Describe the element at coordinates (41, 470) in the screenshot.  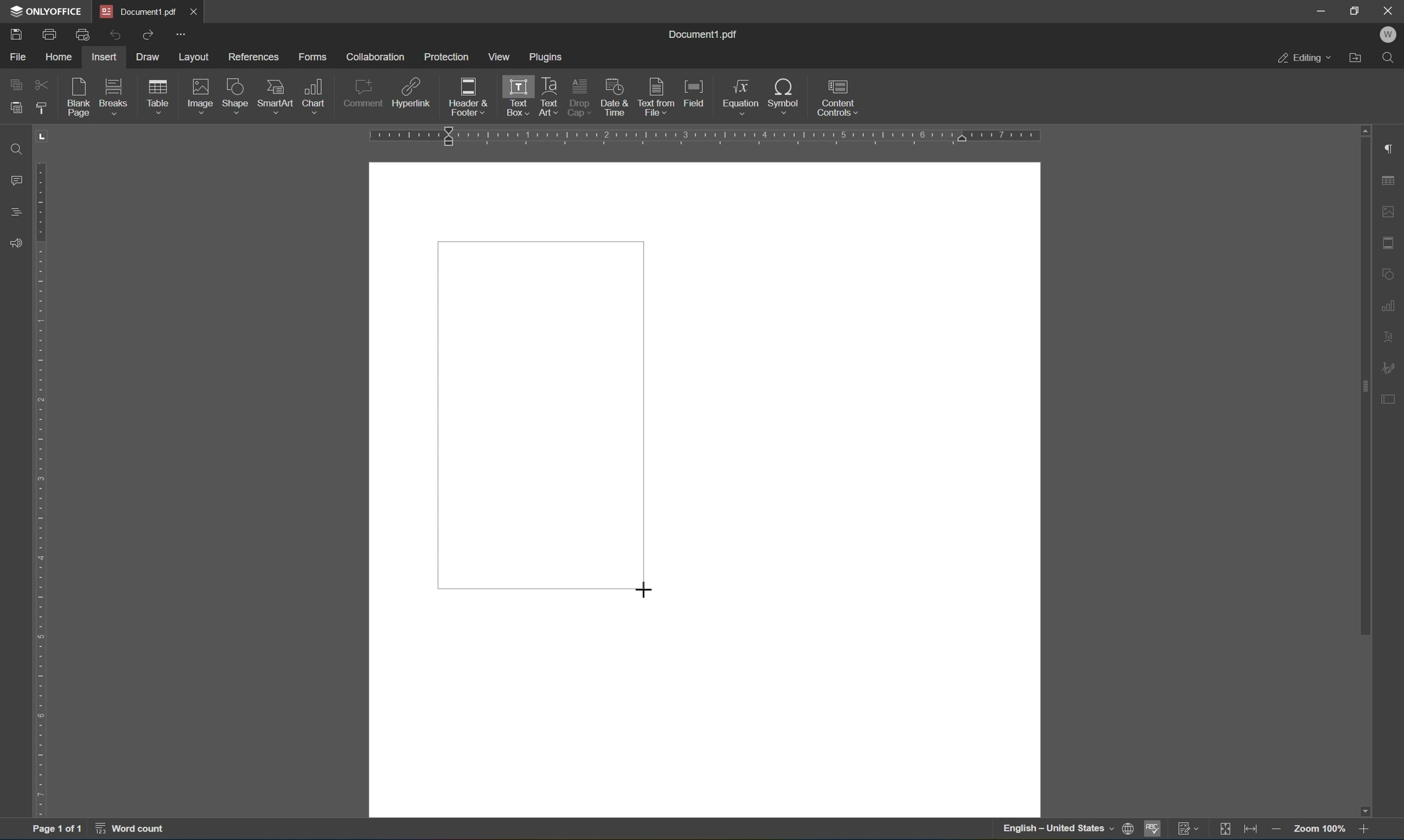
I see `ruler` at that location.